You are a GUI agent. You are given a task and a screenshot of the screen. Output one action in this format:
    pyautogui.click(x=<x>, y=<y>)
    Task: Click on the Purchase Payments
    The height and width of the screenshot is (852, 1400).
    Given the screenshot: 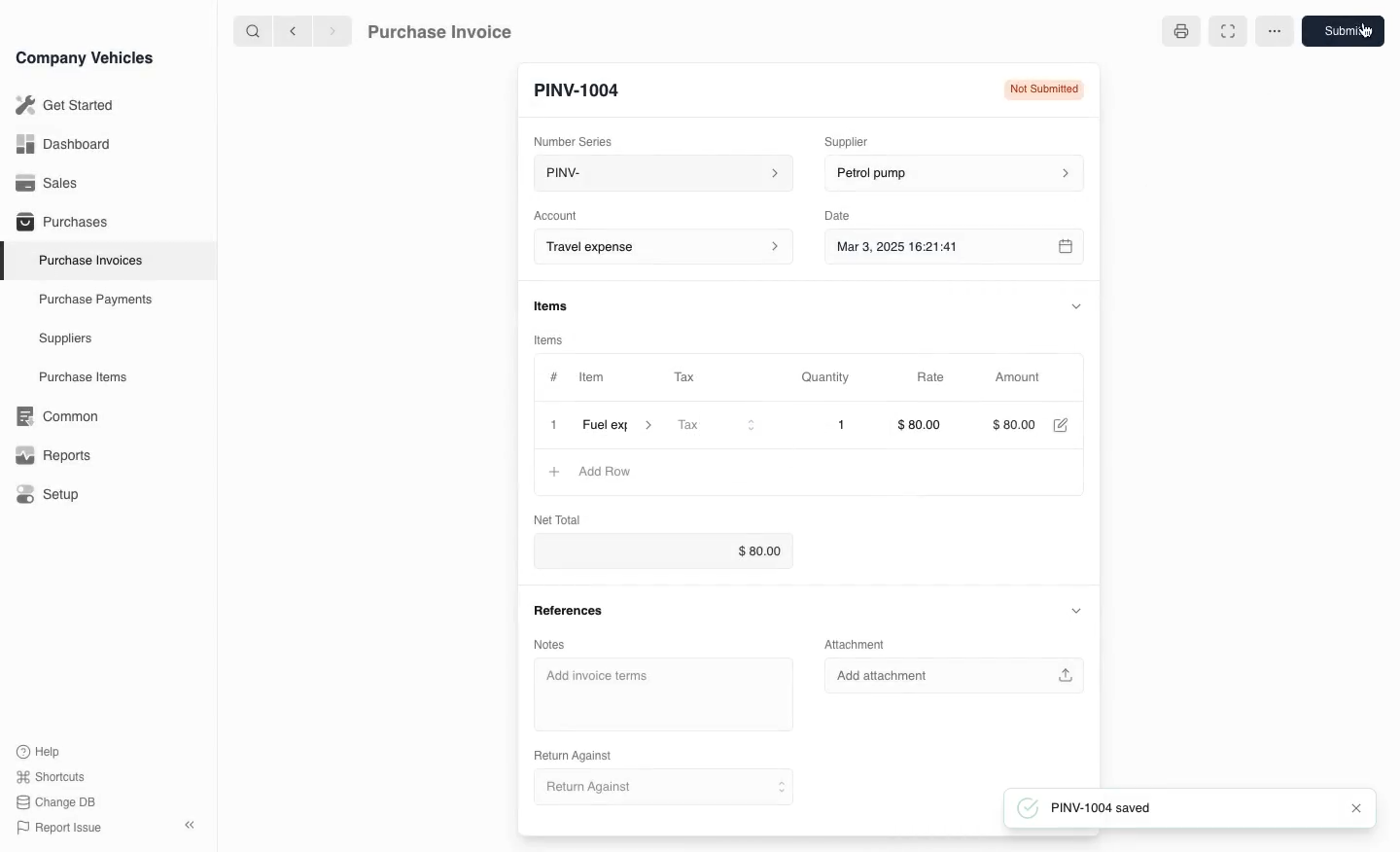 What is the action you would take?
    pyautogui.click(x=93, y=300)
    